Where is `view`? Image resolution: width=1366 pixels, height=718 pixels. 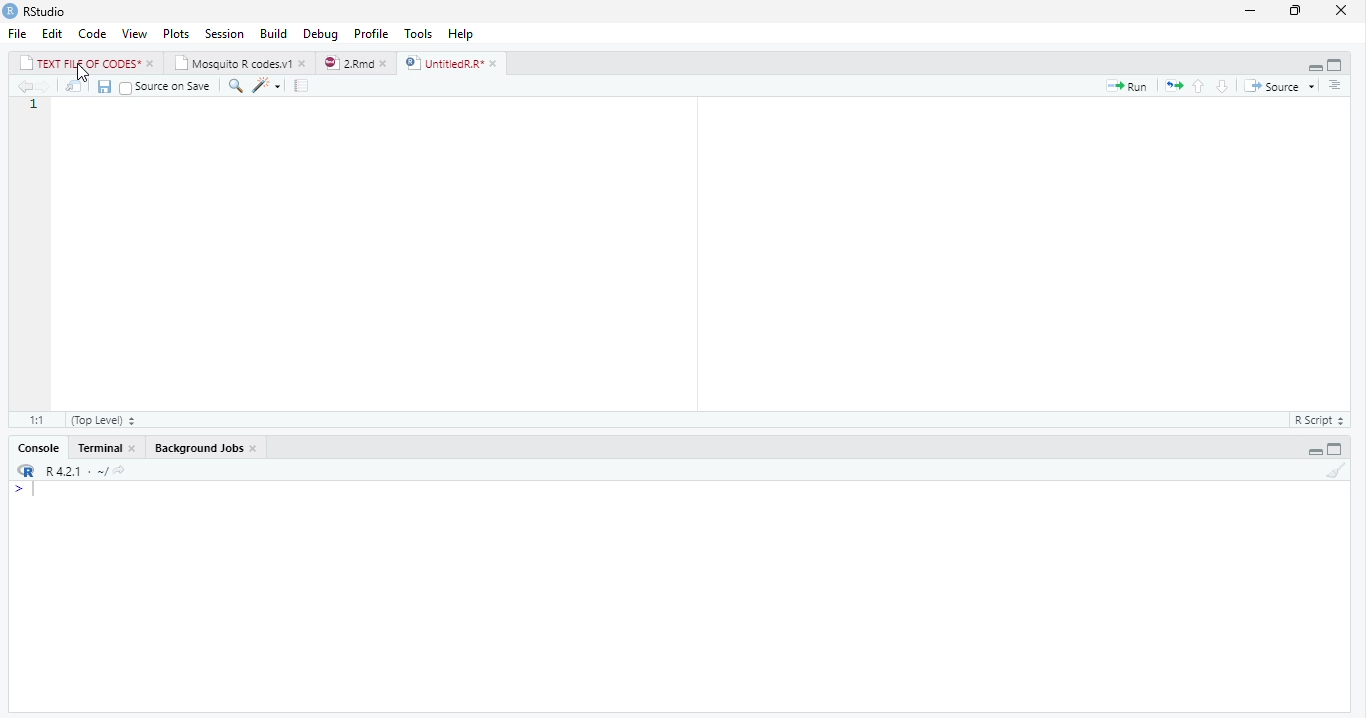
view is located at coordinates (135, 34).